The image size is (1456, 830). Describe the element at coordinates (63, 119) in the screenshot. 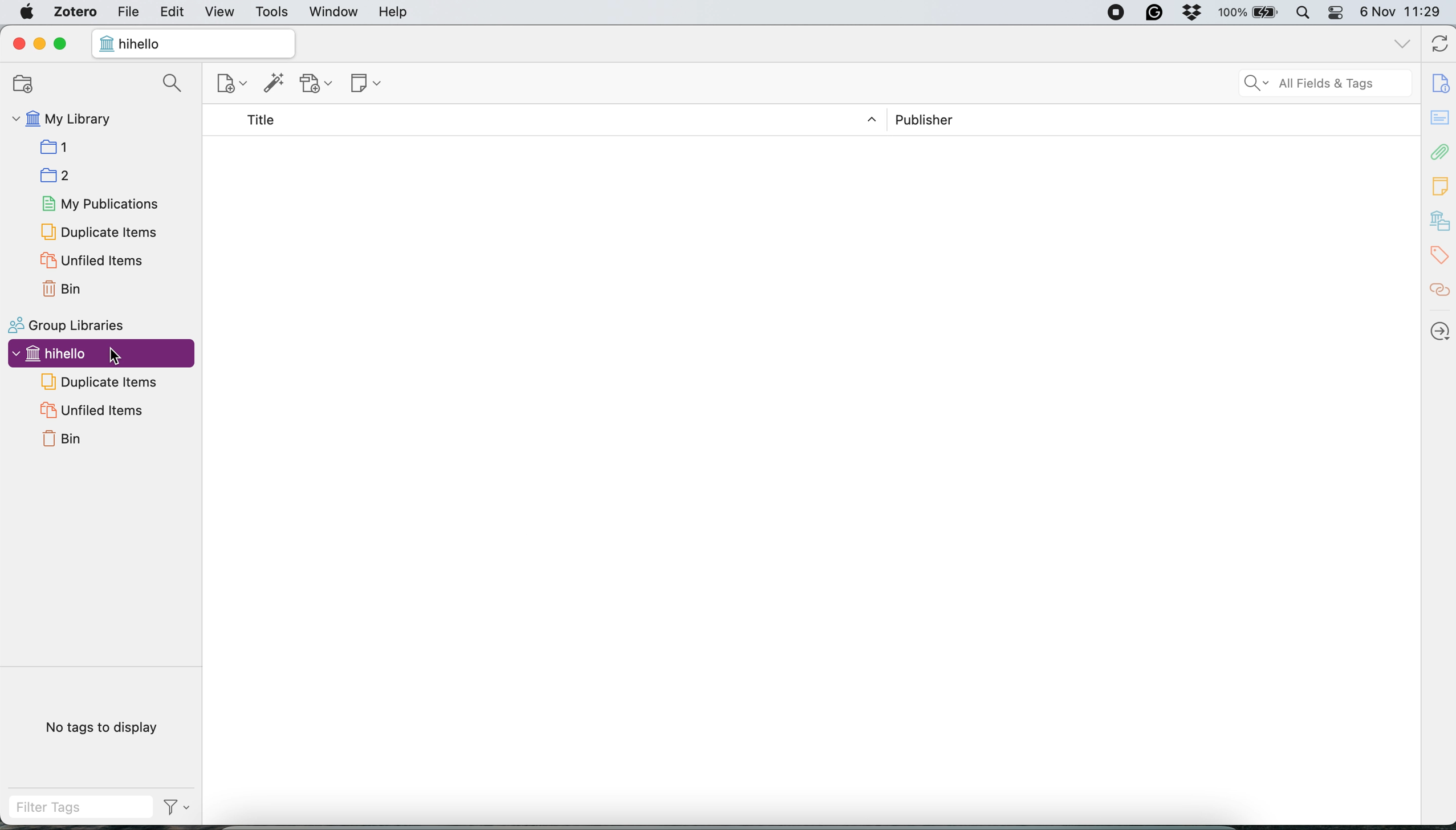

I see `my library` at that location.